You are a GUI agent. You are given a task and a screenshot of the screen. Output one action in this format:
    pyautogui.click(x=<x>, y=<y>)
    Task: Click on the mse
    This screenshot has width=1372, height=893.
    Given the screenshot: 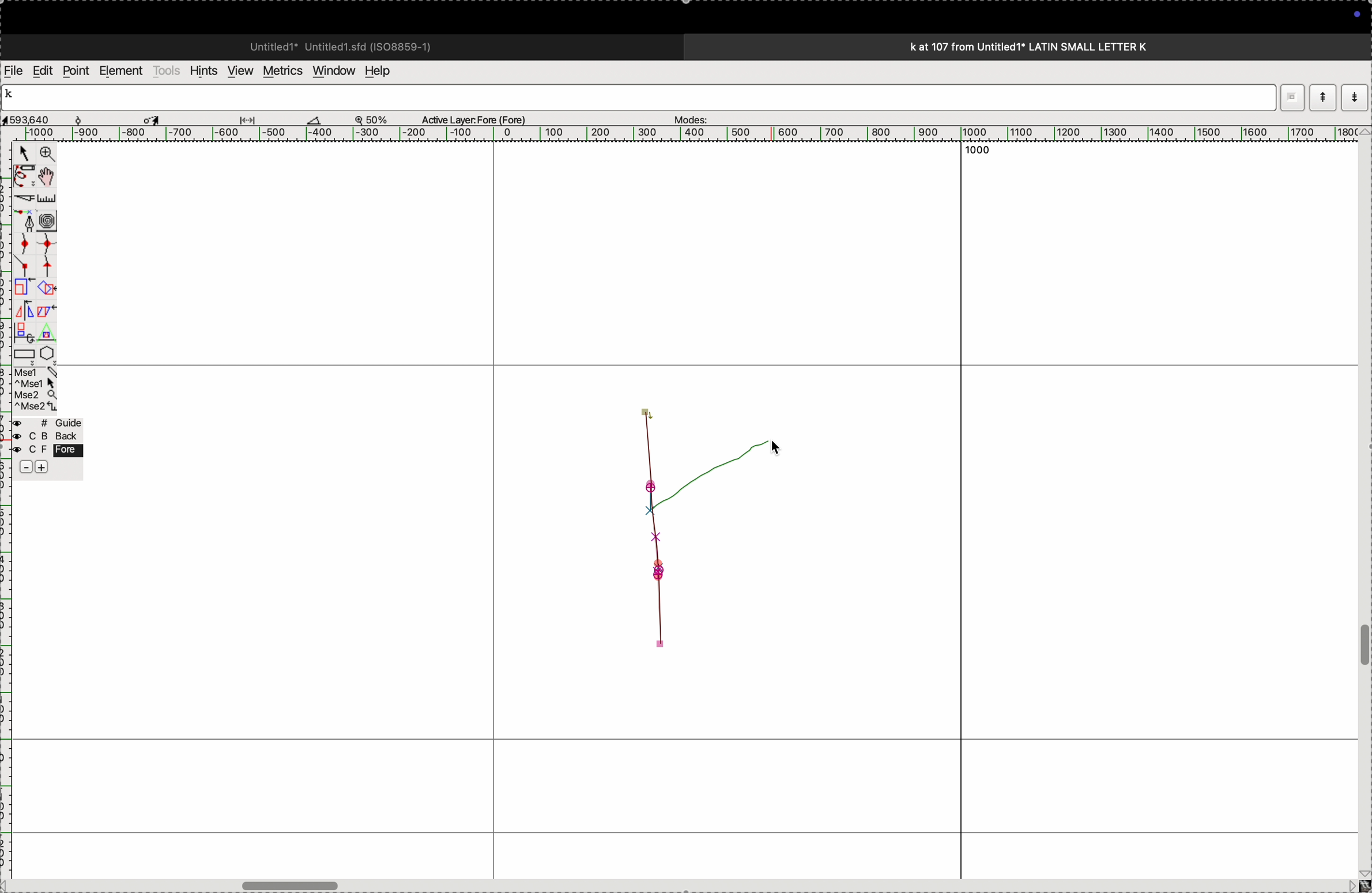 What is the action you would take?
    pyautogui.click(x=37, y=390)
    